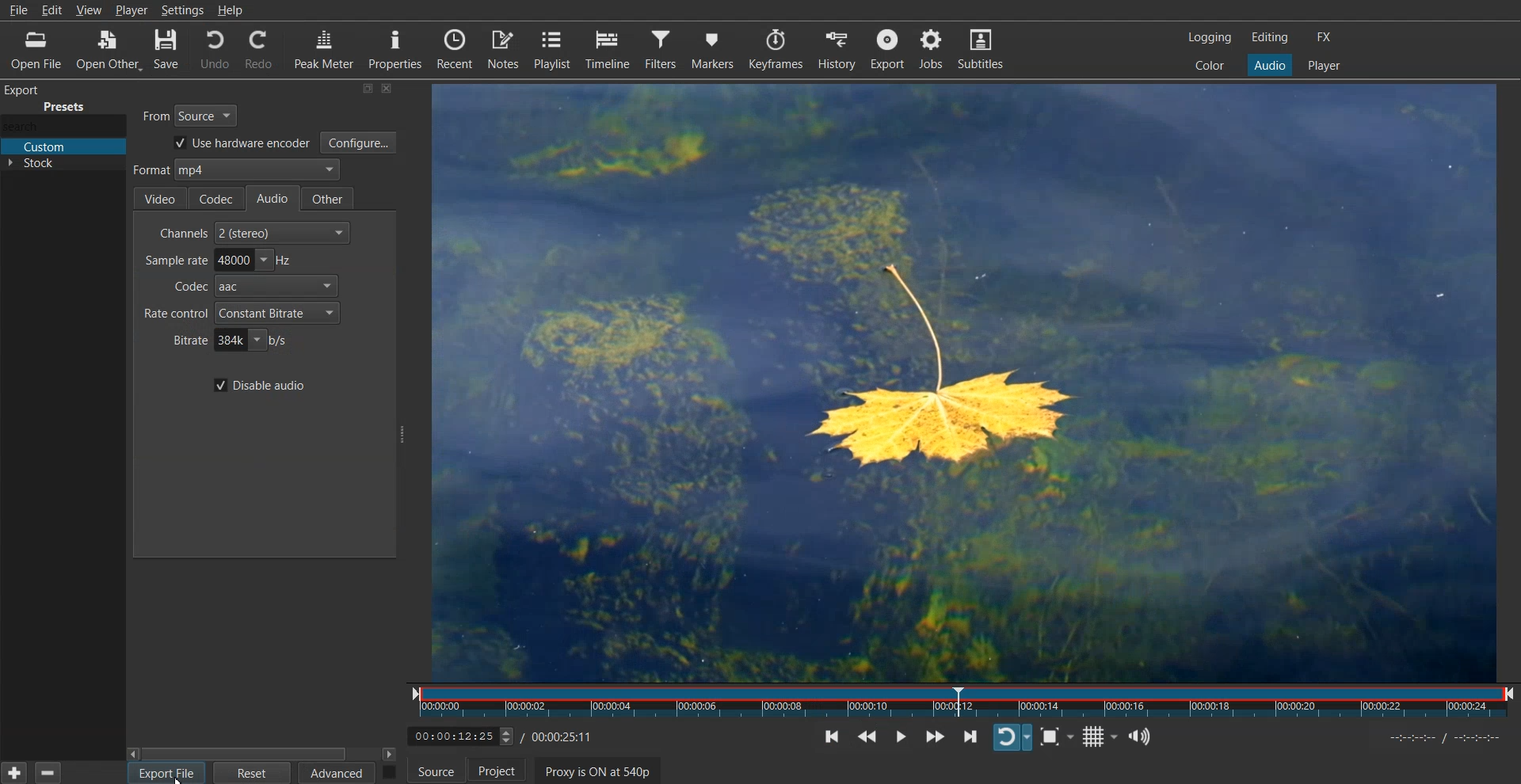 The width and height of the screenshot is (1521, 784). Describe the element at coordinates (605, 772) in the screenshot. I see `Proxy is ON at 540p` at that location.